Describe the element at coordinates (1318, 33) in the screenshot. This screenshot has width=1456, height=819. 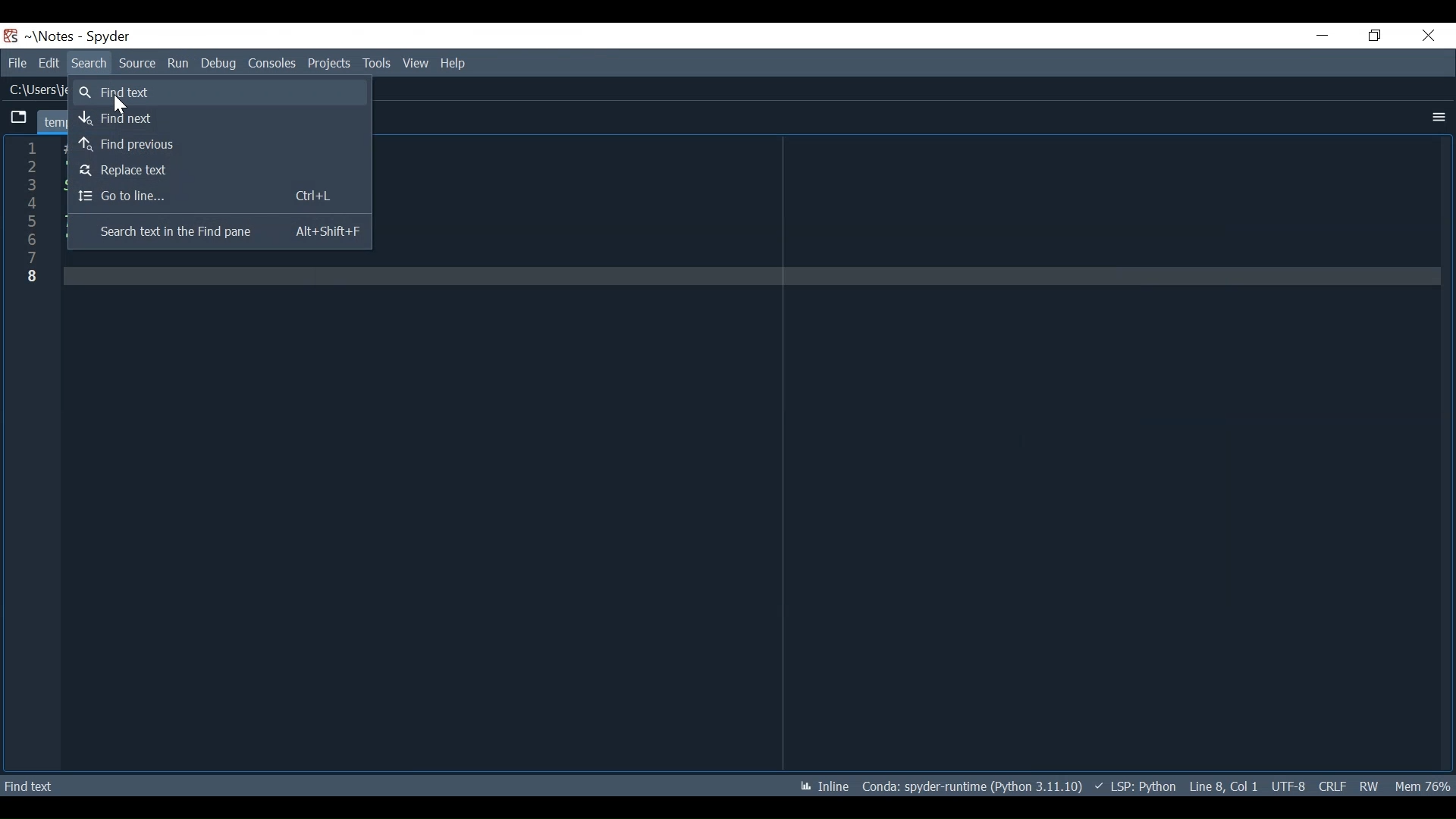
I see `Minimize` at that location.